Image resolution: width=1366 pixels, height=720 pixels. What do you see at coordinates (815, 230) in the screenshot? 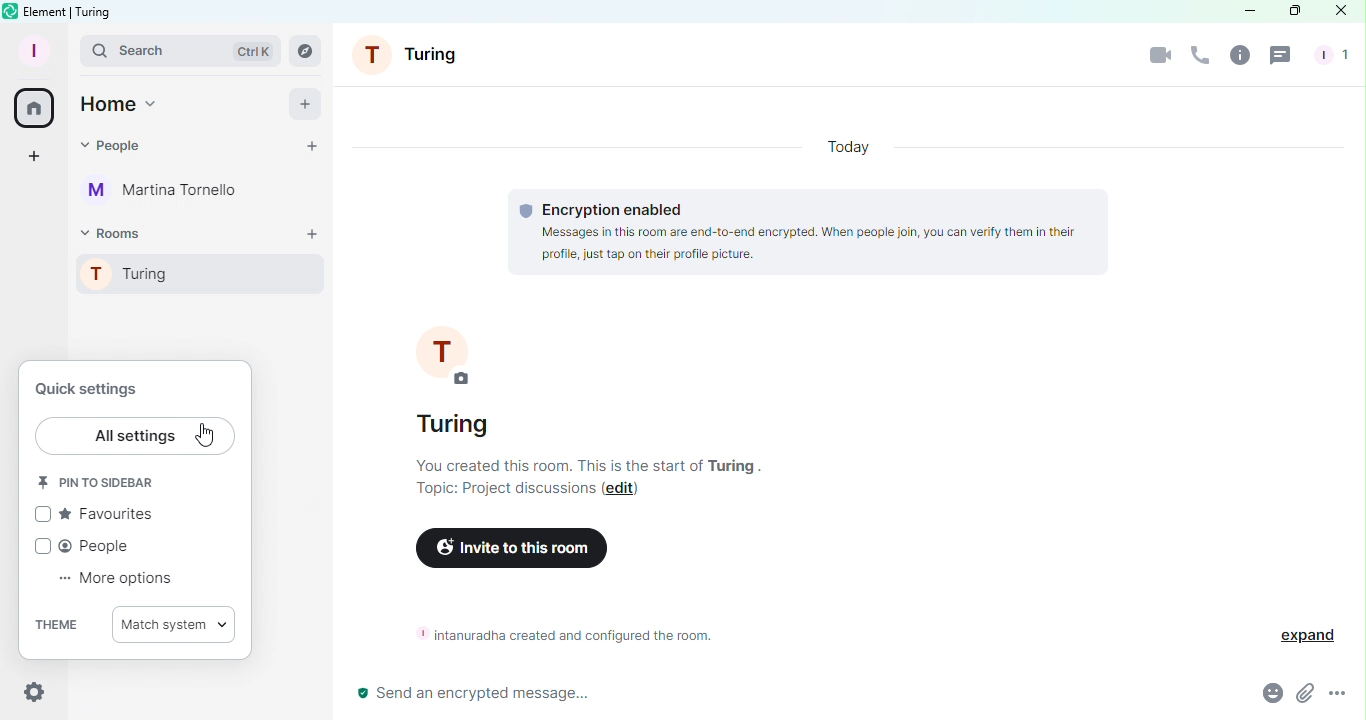
I see `Encryption information` at bounding box center [815, 230].